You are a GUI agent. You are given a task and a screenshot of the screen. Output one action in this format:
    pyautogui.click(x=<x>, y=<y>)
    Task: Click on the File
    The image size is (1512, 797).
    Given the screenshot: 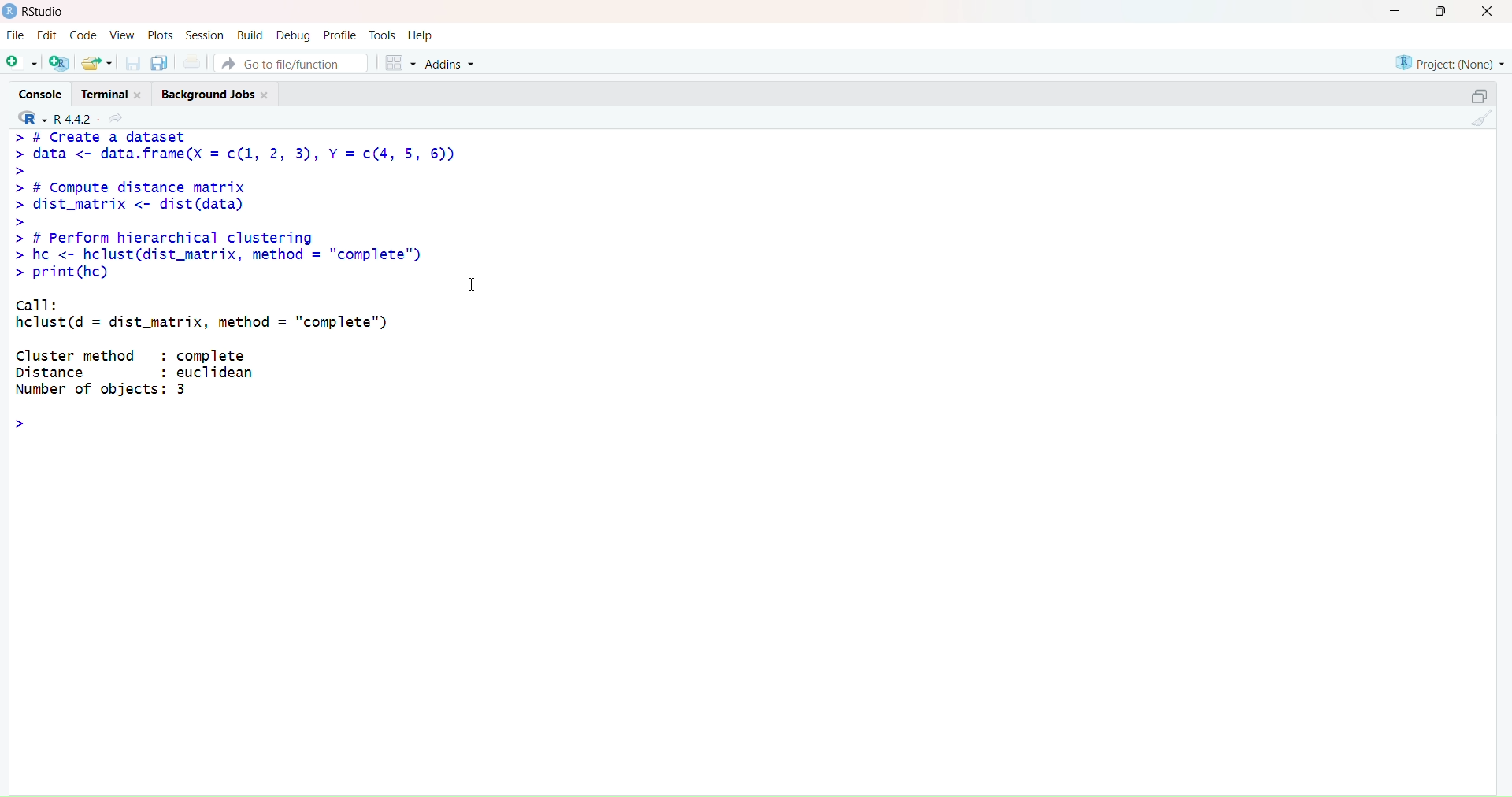 What is the action you would take?
    pyautogui.click(x=13, y=34)
    